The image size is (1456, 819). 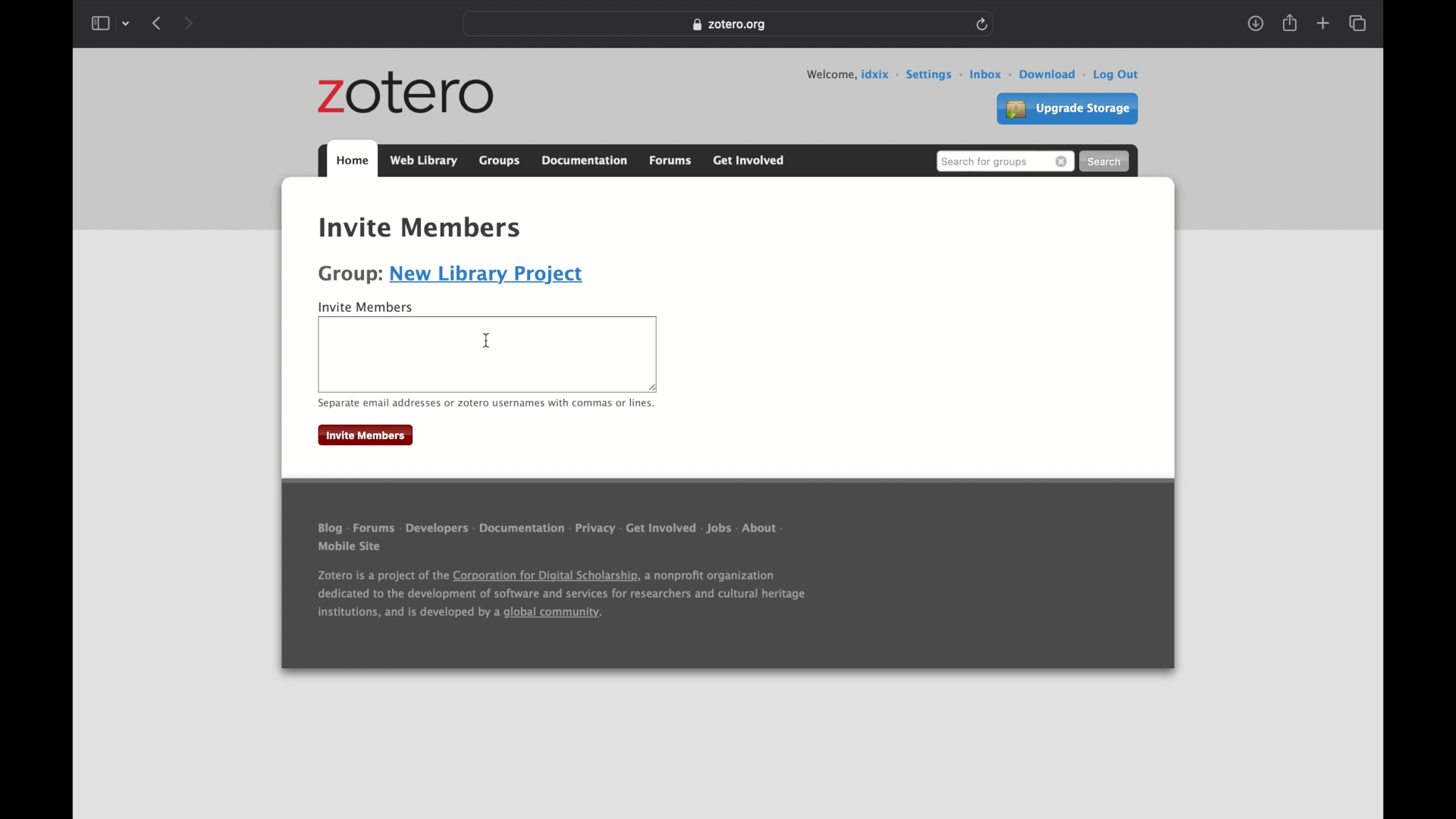 I want to click on home, so click(x=352, y=160).